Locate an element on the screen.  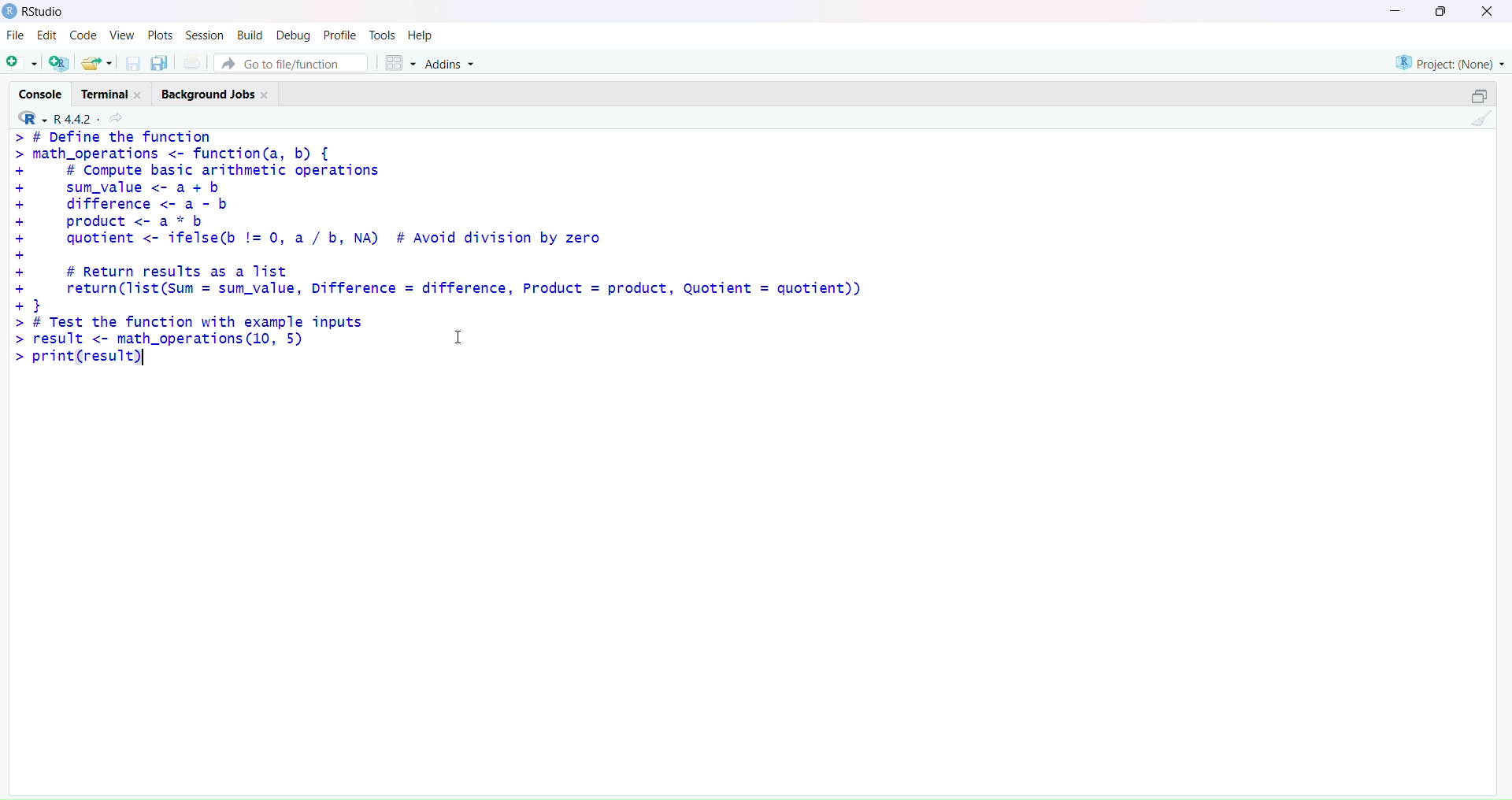
Tasks is located at coordinates (382, 34).